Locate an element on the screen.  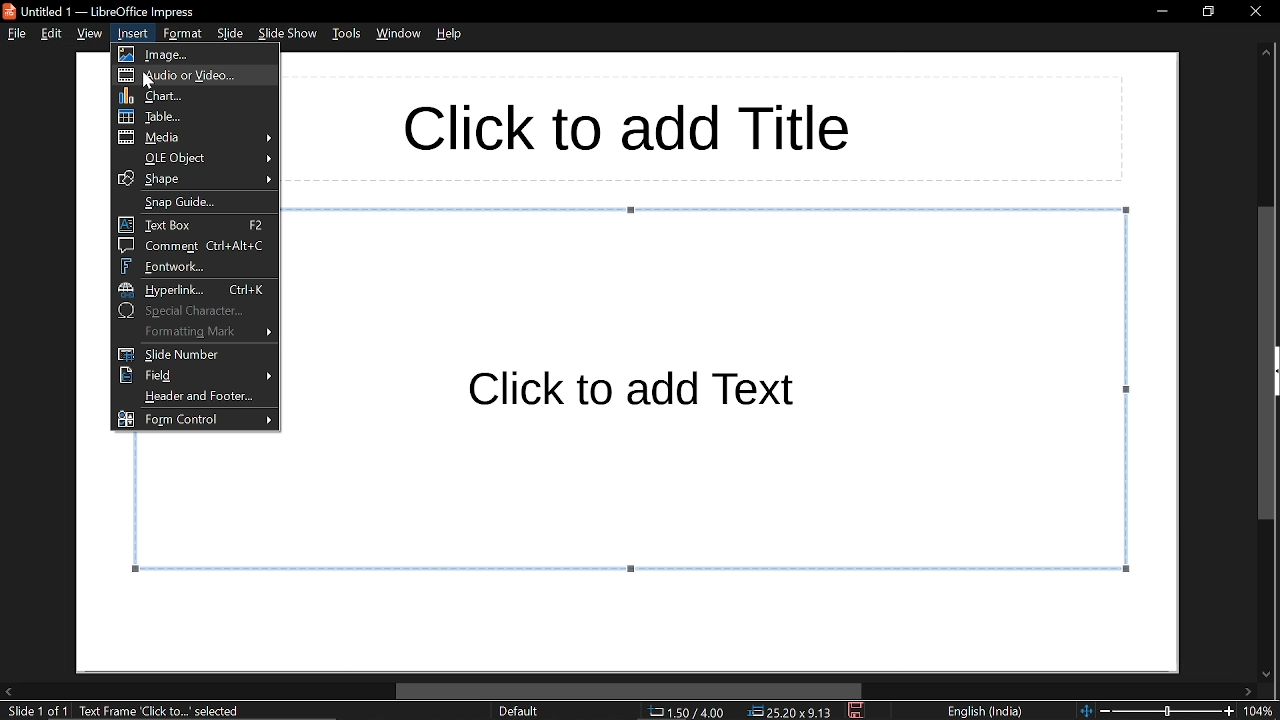
language is located at coordinates (986, 712).